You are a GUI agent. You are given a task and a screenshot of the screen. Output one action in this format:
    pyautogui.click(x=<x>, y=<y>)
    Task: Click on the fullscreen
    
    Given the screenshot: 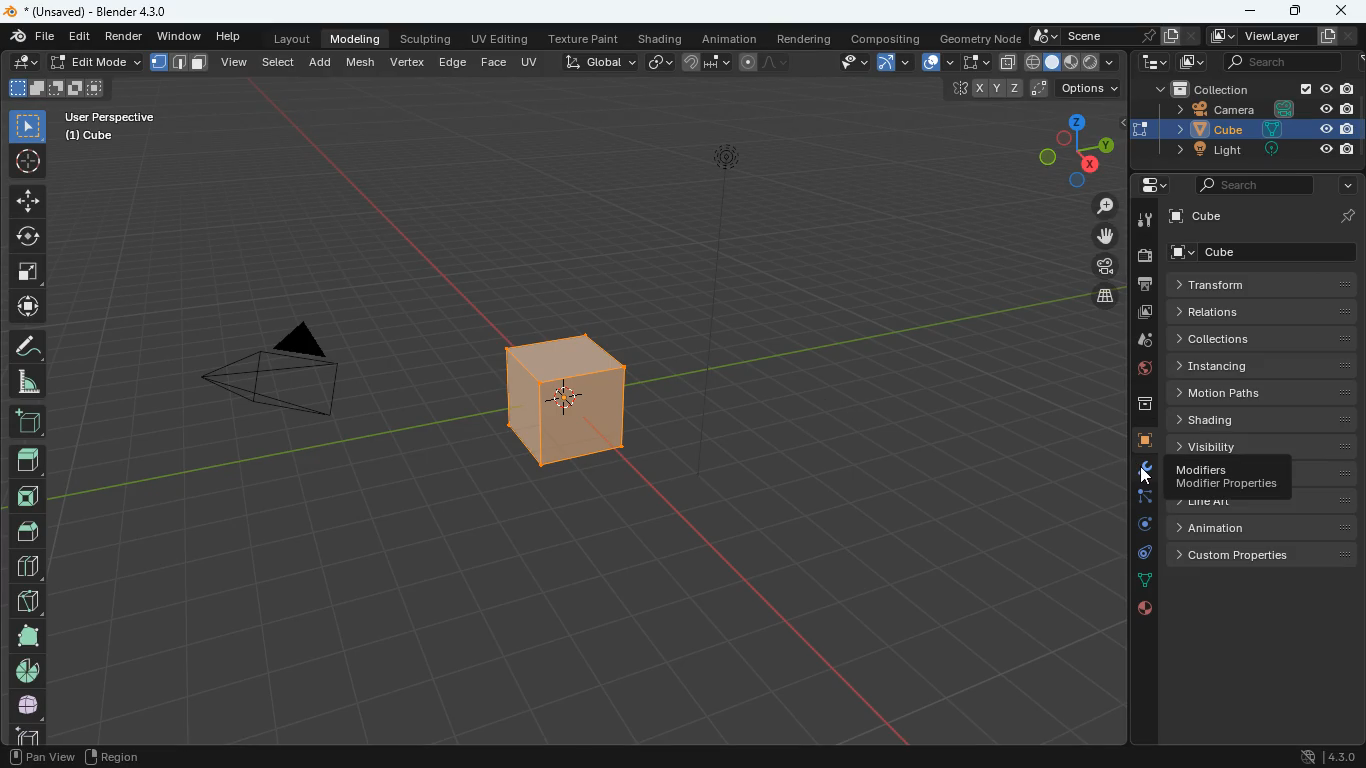 What is the action you would take?
    pyautogui.click(x=29, y=269)
    